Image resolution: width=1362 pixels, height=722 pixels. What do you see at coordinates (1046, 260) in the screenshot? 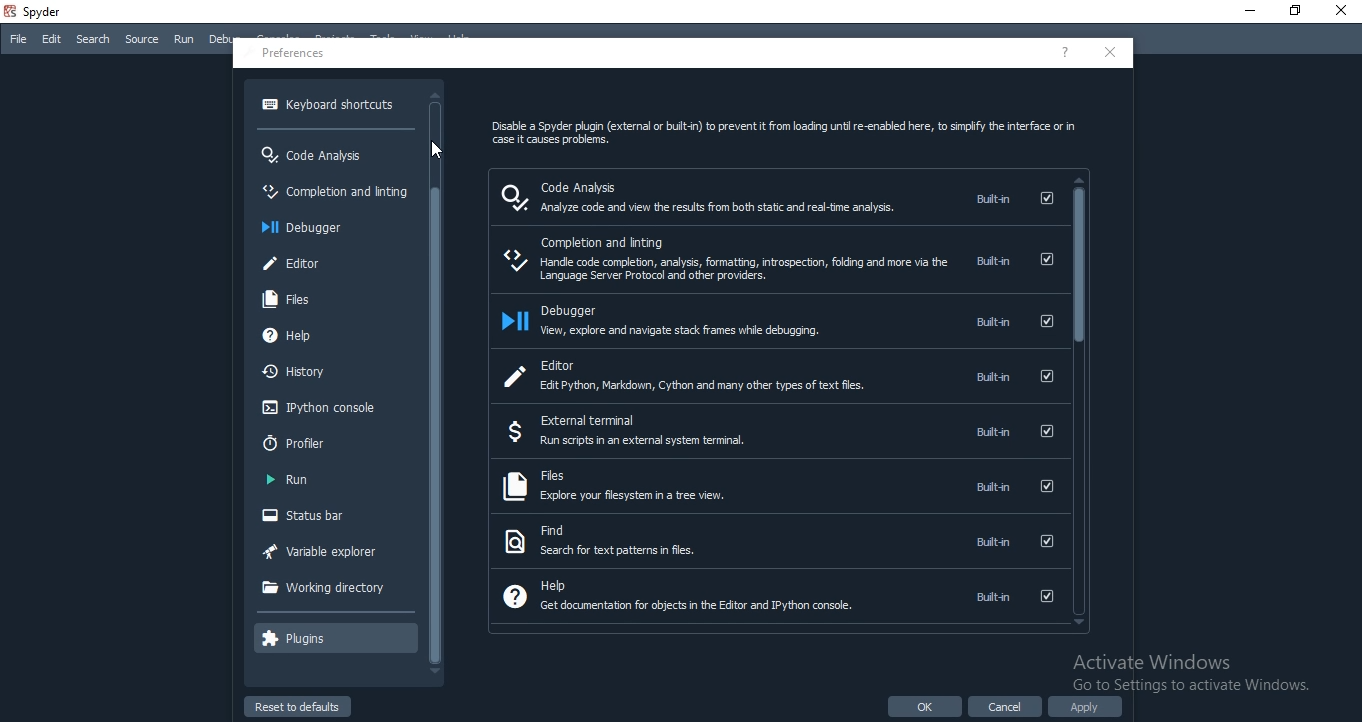
I see `checkbox` at bounding box center [1046, 260].